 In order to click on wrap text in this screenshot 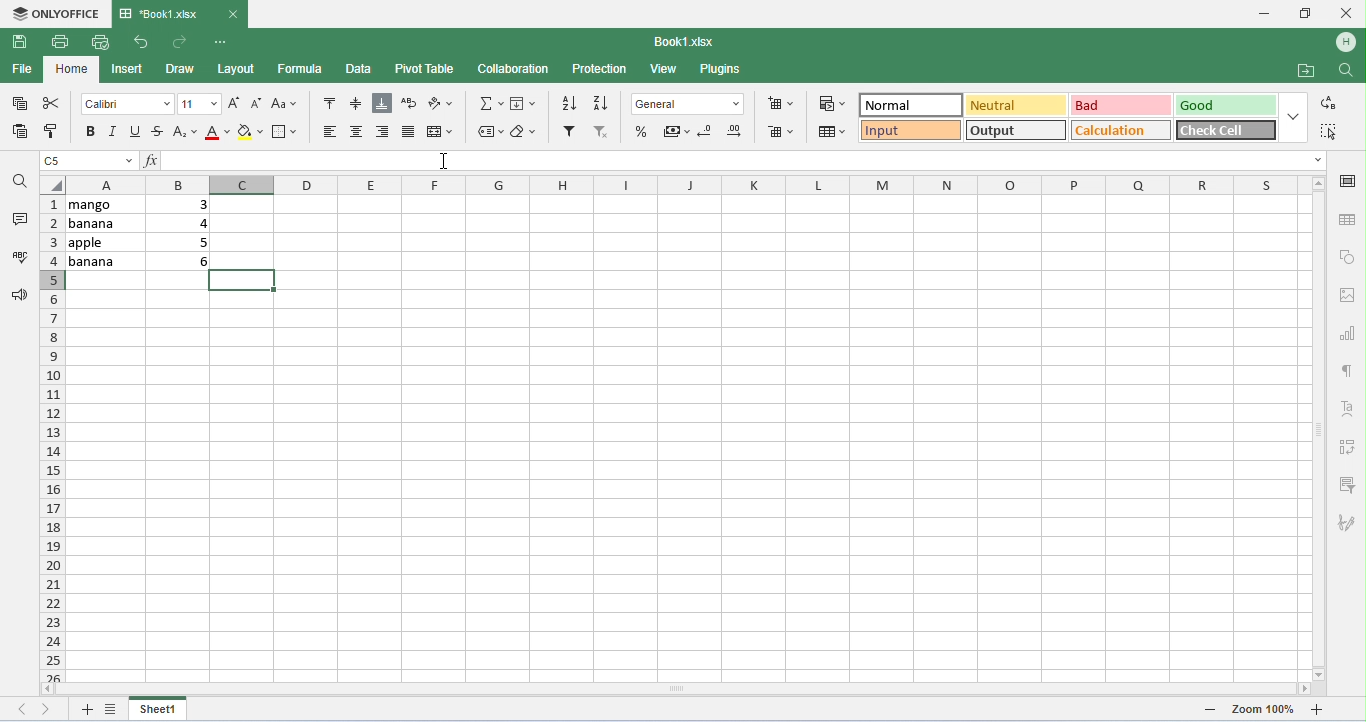, I will do `click(409, 103)`.